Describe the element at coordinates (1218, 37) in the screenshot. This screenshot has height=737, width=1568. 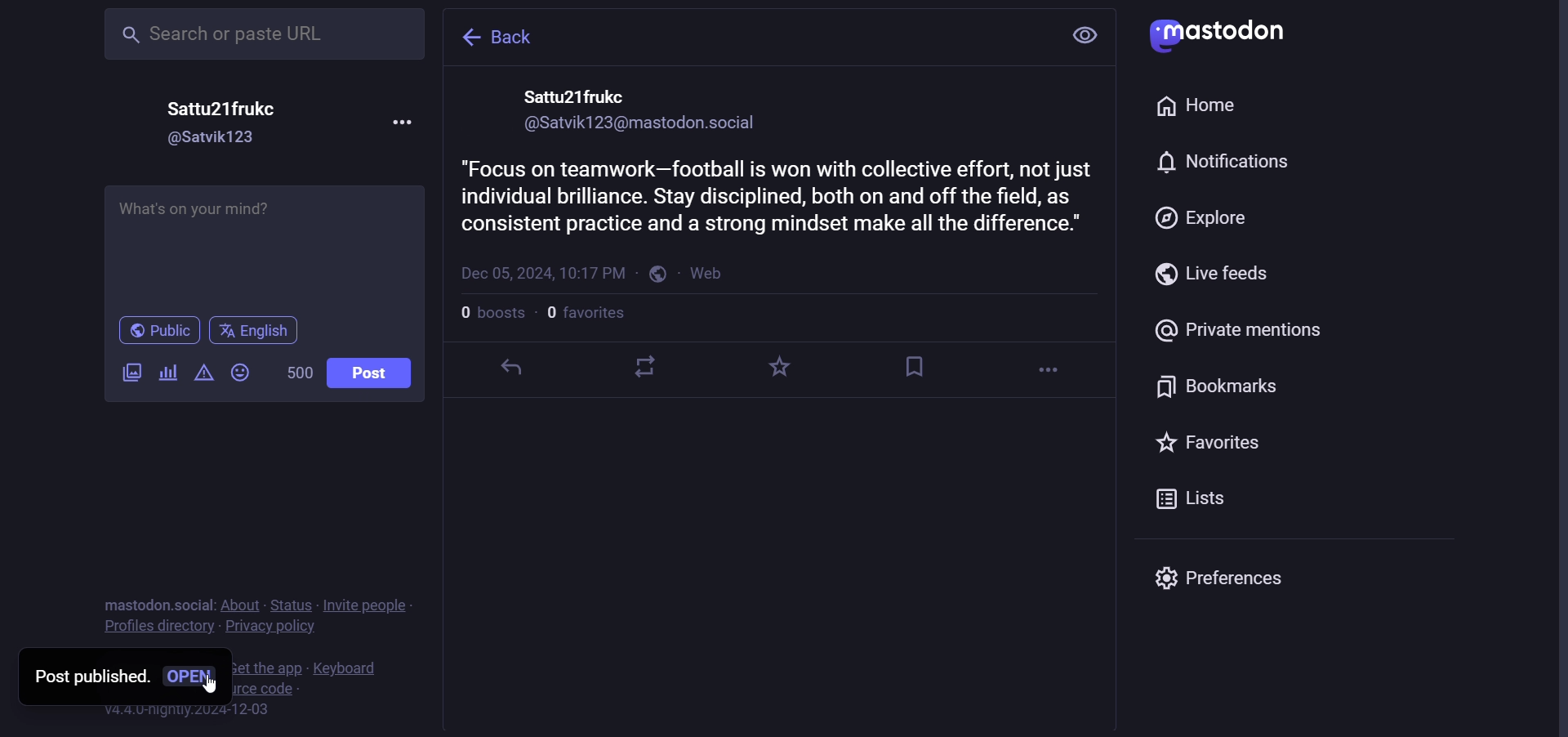
I see `mastodon` at that location.